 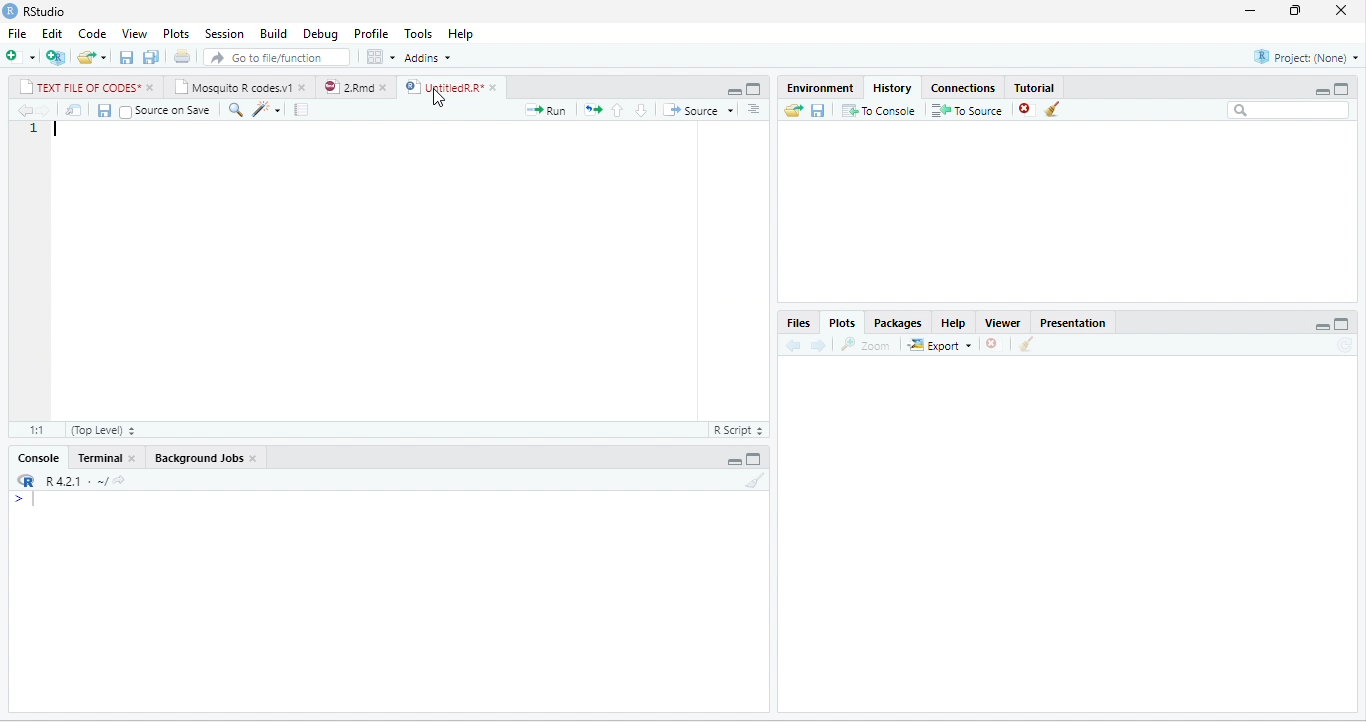 What do you see at coordinates (1072, 323) in the screenshot?
I see `Presentation` at bounding box center [1072, 323].